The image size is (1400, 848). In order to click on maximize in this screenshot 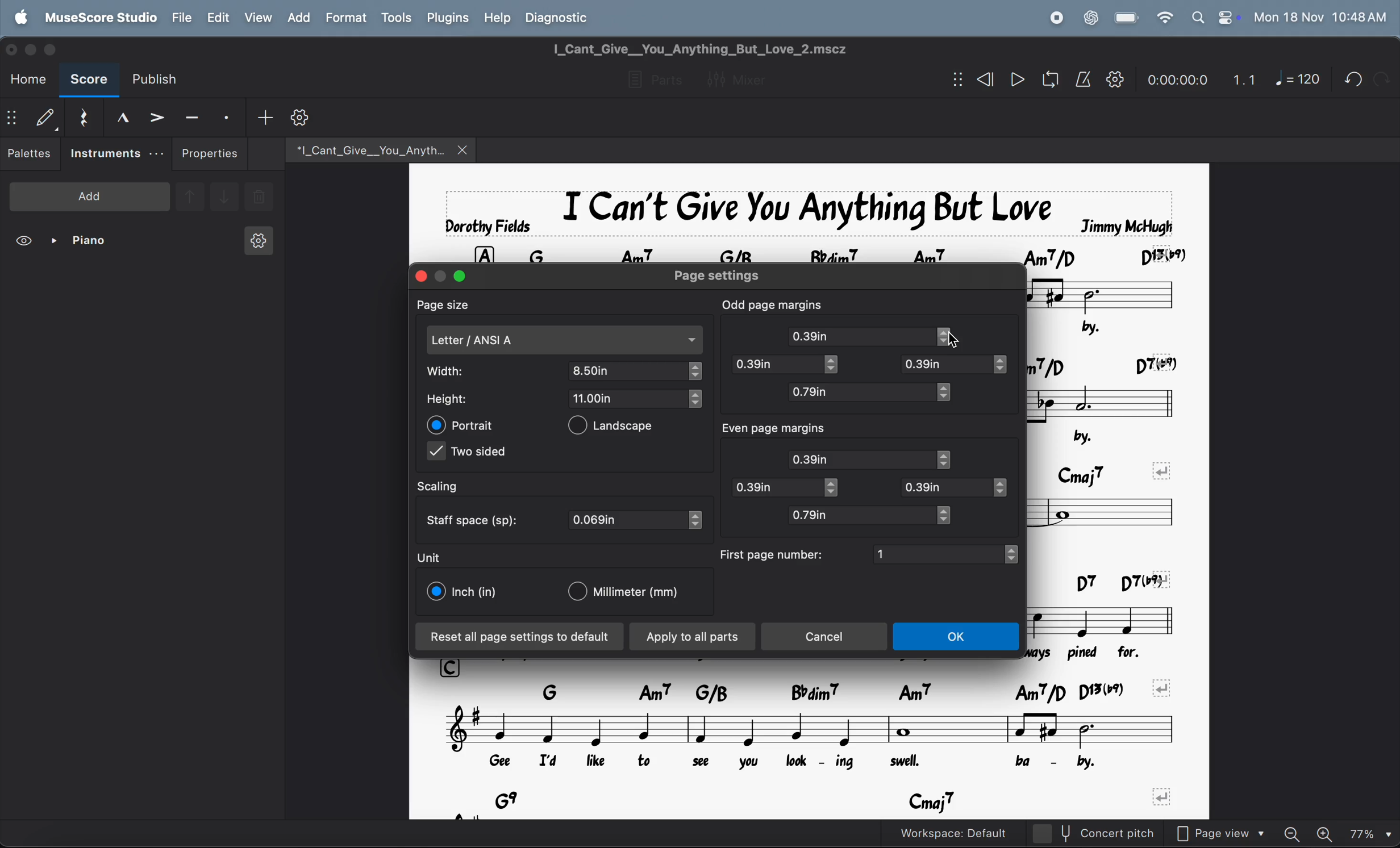, I will do `click(461, 276)`.